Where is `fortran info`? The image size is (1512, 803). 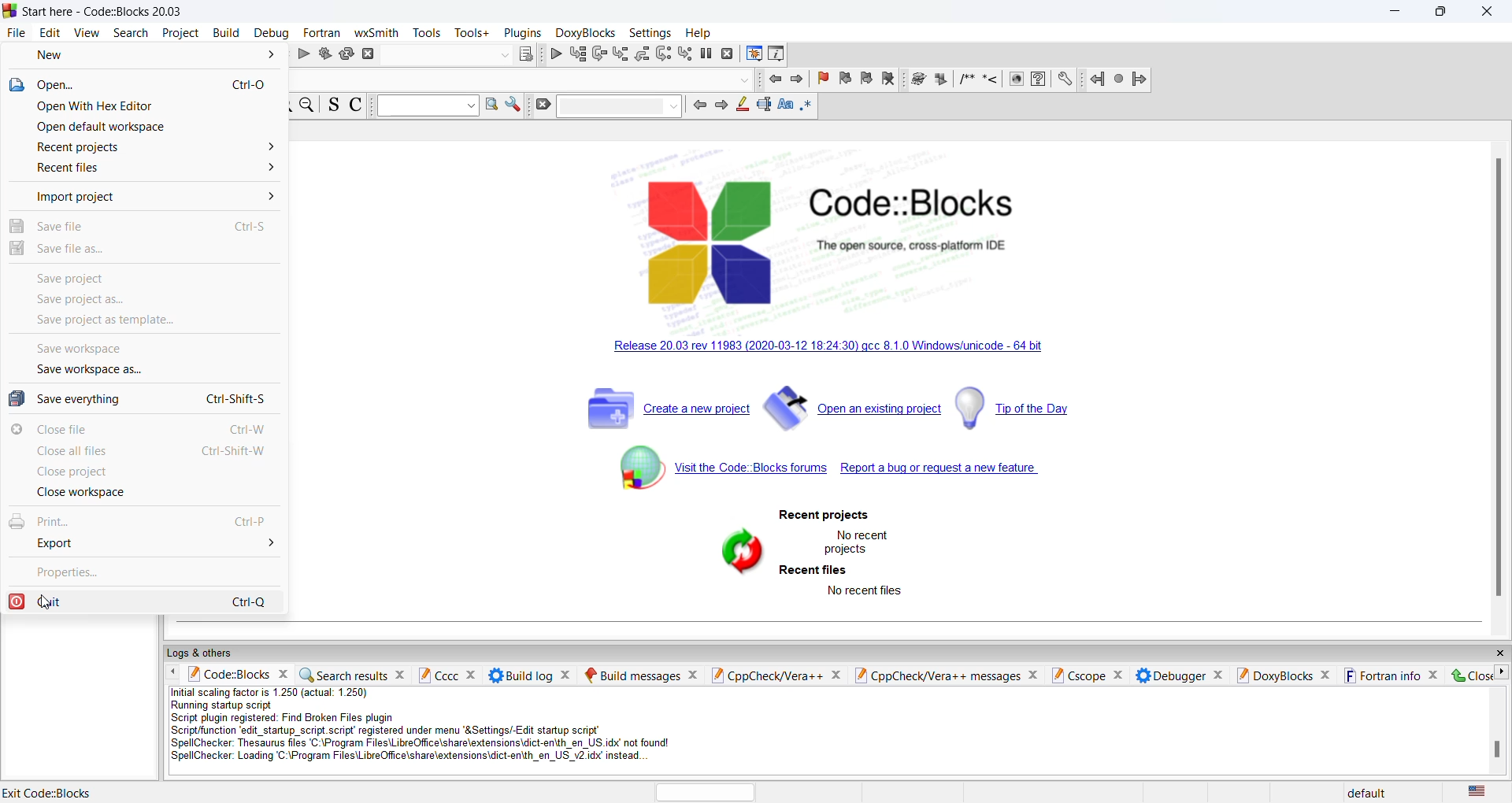
fortran info is located at coordinates (1391, 675).